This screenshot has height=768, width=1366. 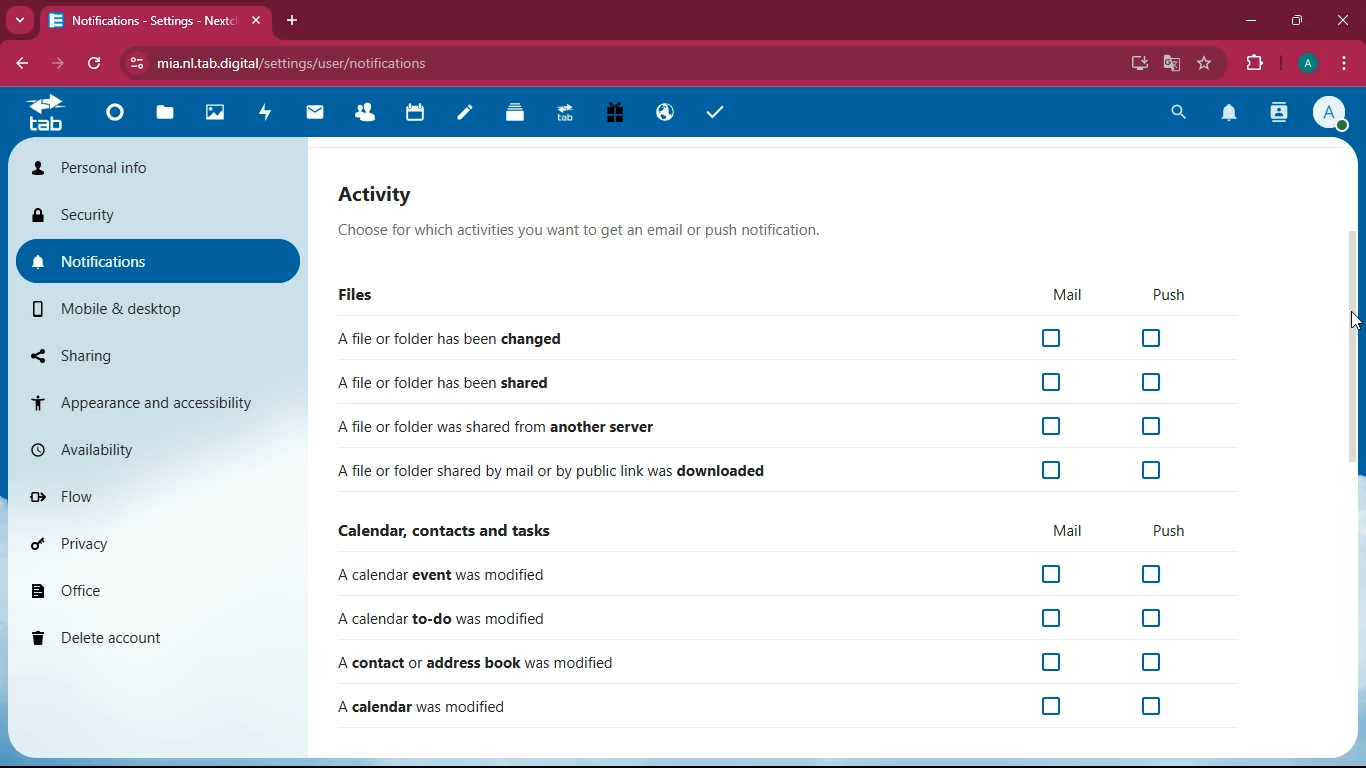 I want to click on mia.nl.tab.digital/settings/user/notifications, so click(x=296, y=65).